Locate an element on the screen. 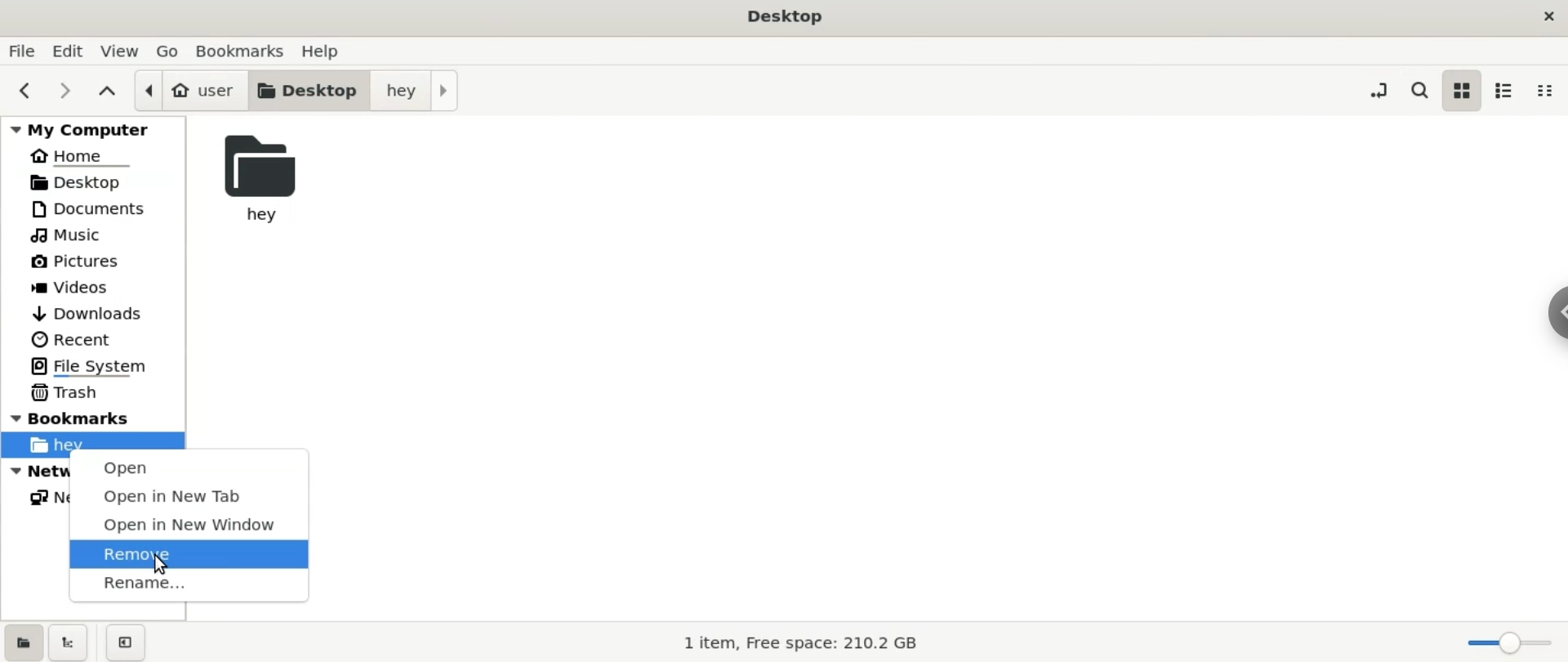 Image resolution: width=1568 pixels, height=662 pixels. edit is located at coordinates (70, 50).